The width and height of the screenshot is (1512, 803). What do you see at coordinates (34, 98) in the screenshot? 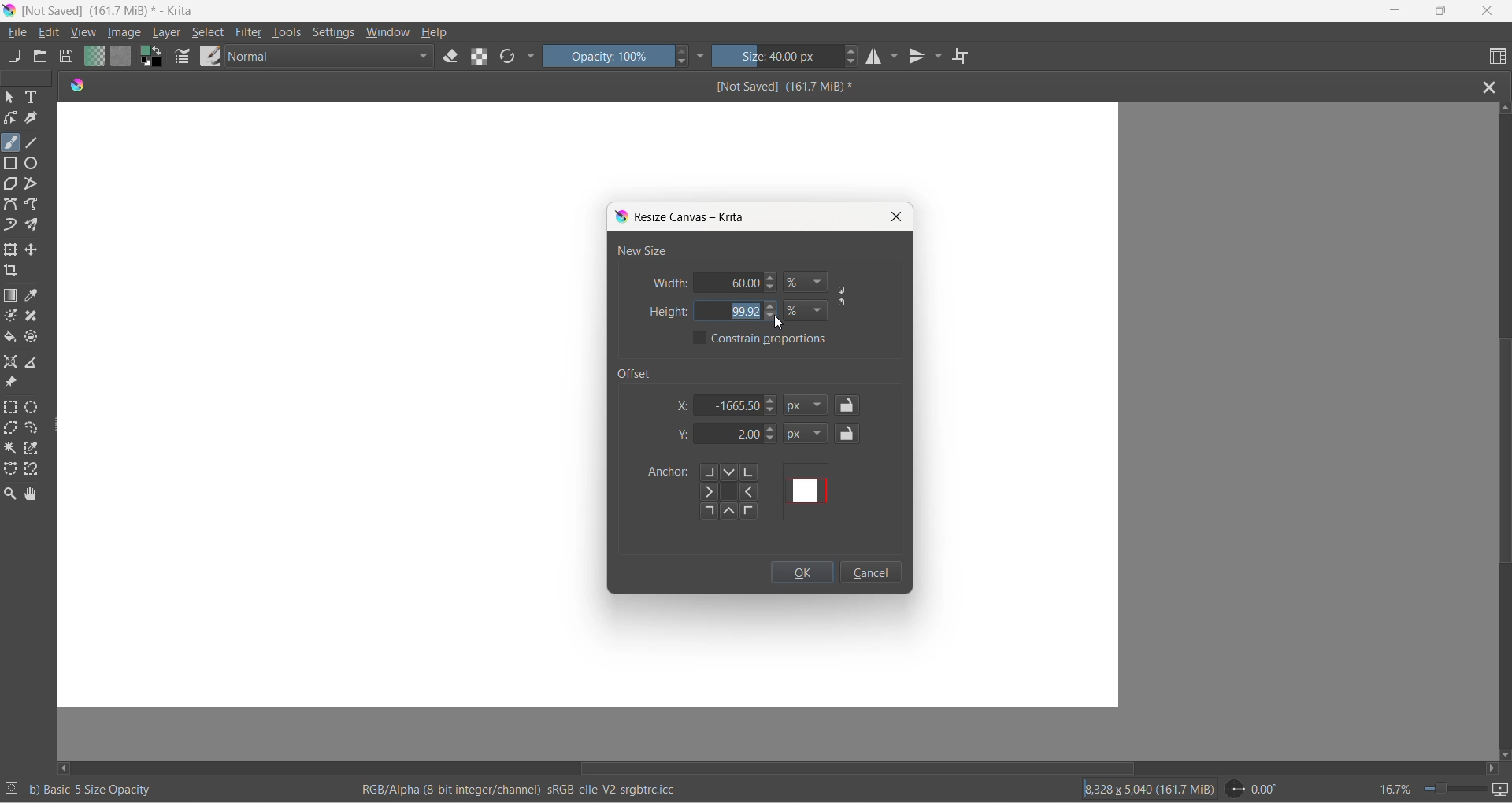
I see `text tool` at bounding box center [34, 98].